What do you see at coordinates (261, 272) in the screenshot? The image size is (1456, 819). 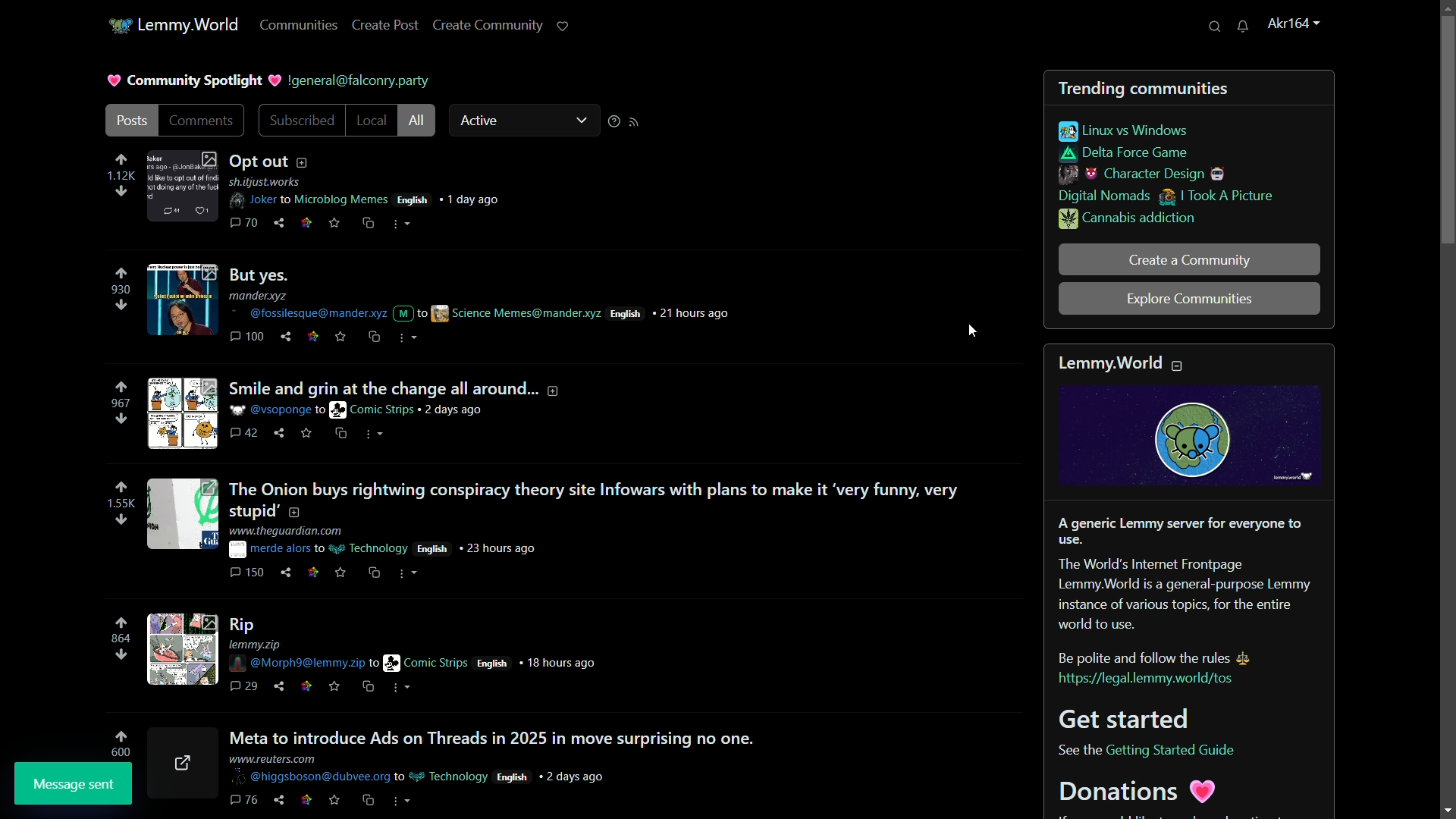 I see `post-2` at bounding box center [261, 272].